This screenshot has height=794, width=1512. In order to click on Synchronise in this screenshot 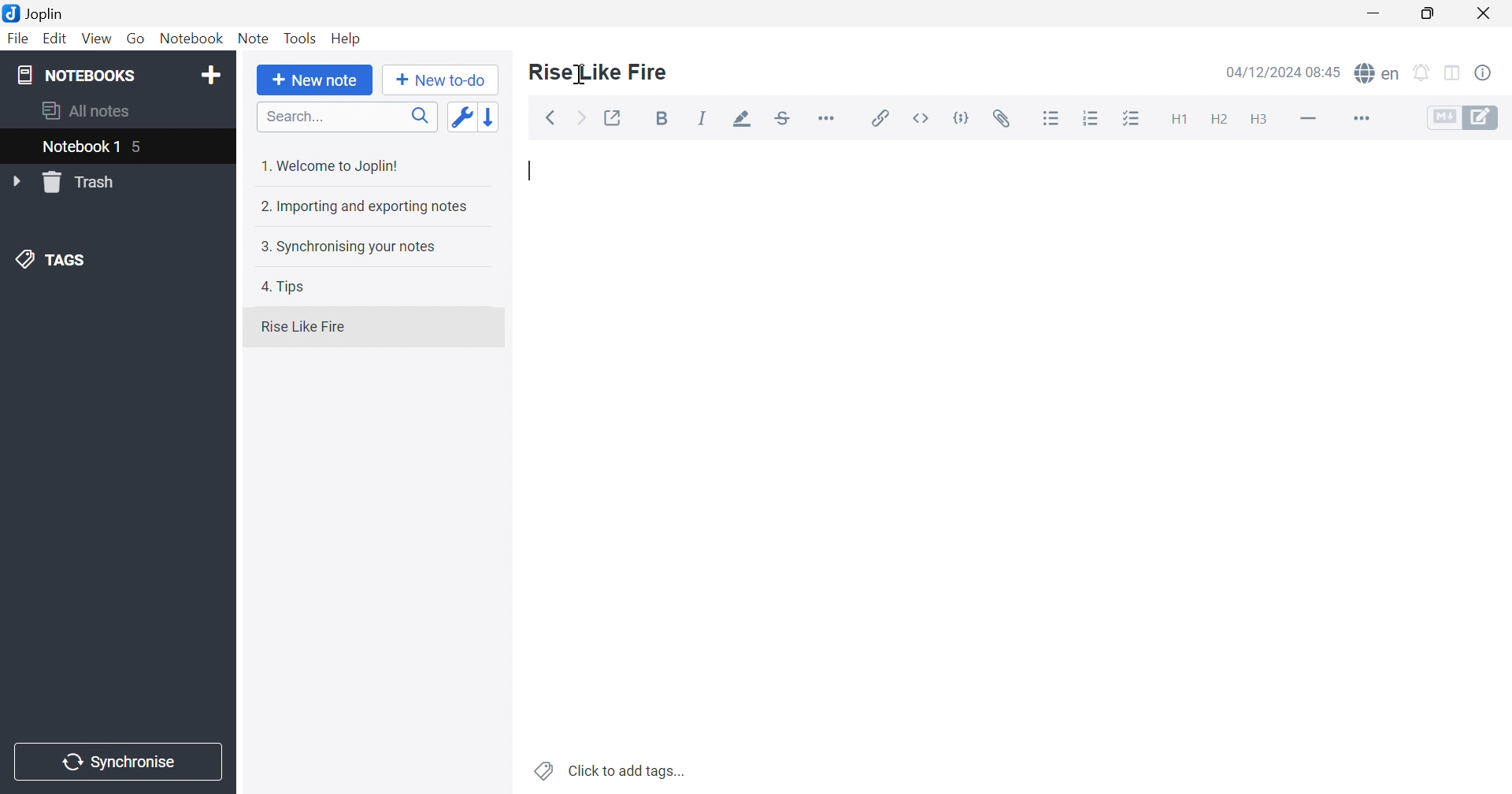, I will do `click(114, 761)`.